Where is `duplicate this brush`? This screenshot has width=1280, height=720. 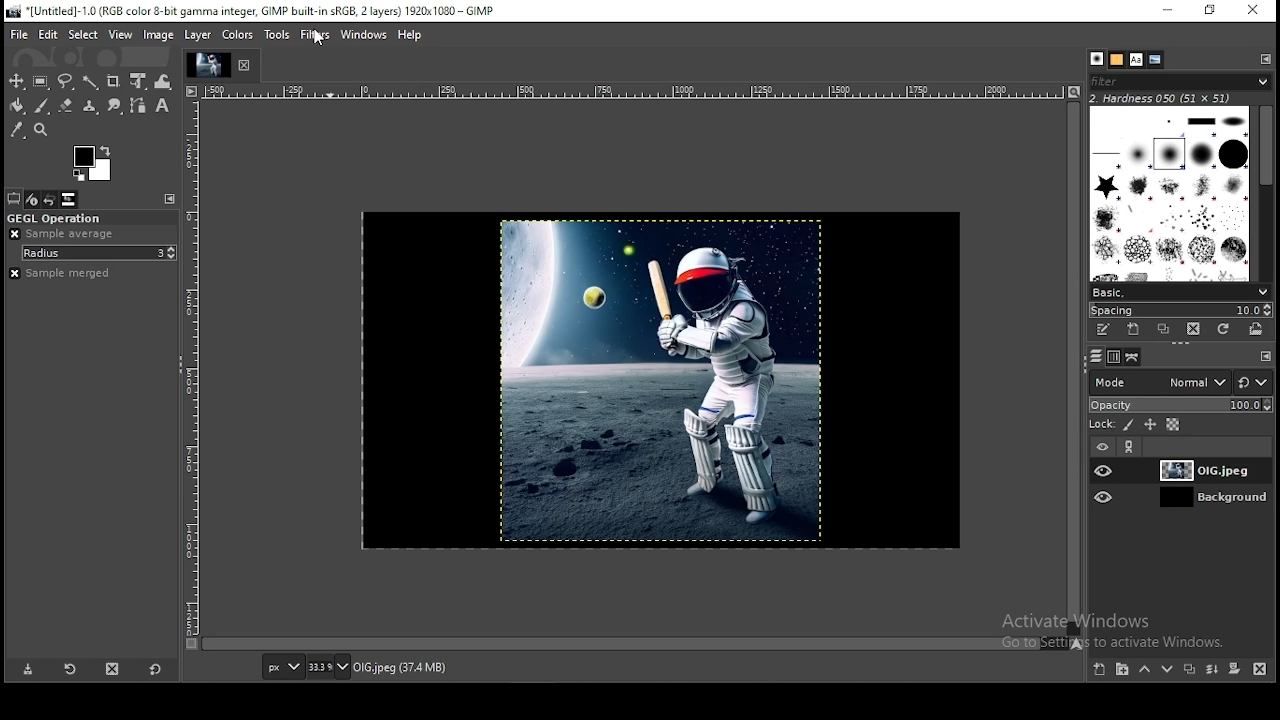
duplicate this brush is located at coordinates (1164, 329).